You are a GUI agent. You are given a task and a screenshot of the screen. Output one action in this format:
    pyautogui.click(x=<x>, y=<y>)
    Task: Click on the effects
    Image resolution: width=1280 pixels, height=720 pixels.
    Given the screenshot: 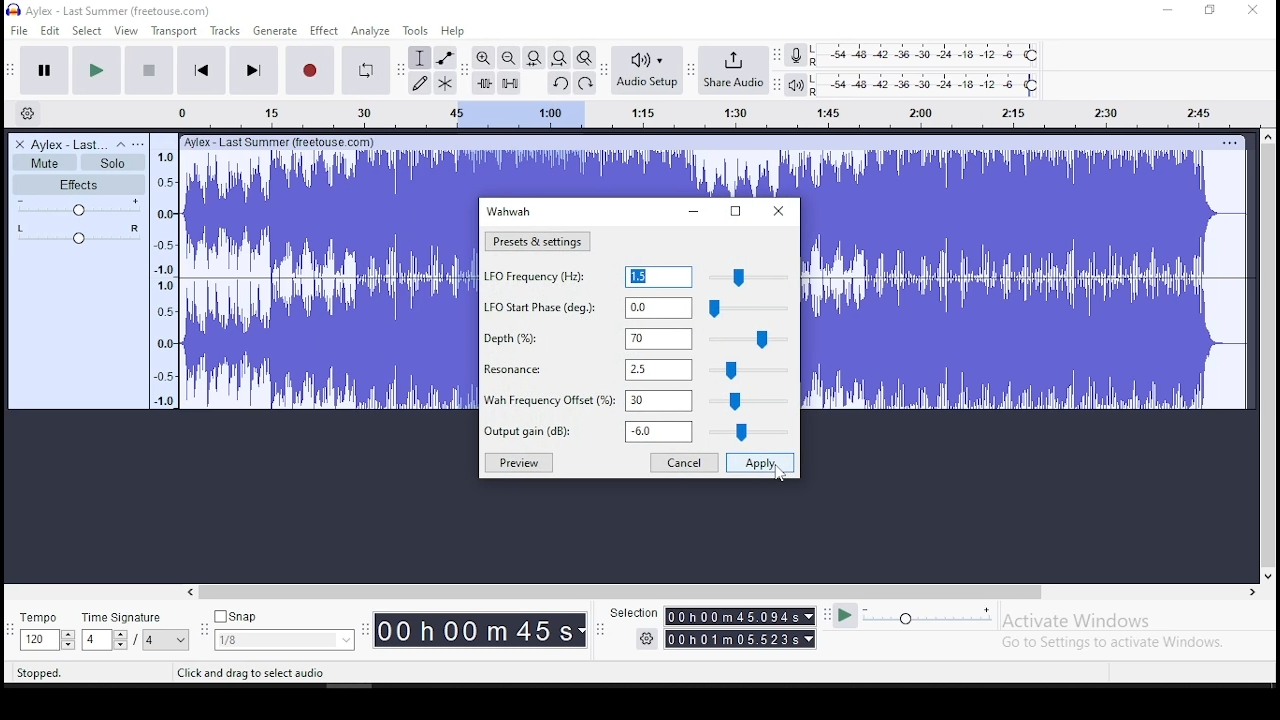 What is the action you would take?
    pyautogui.click(x=80, y=184)
    